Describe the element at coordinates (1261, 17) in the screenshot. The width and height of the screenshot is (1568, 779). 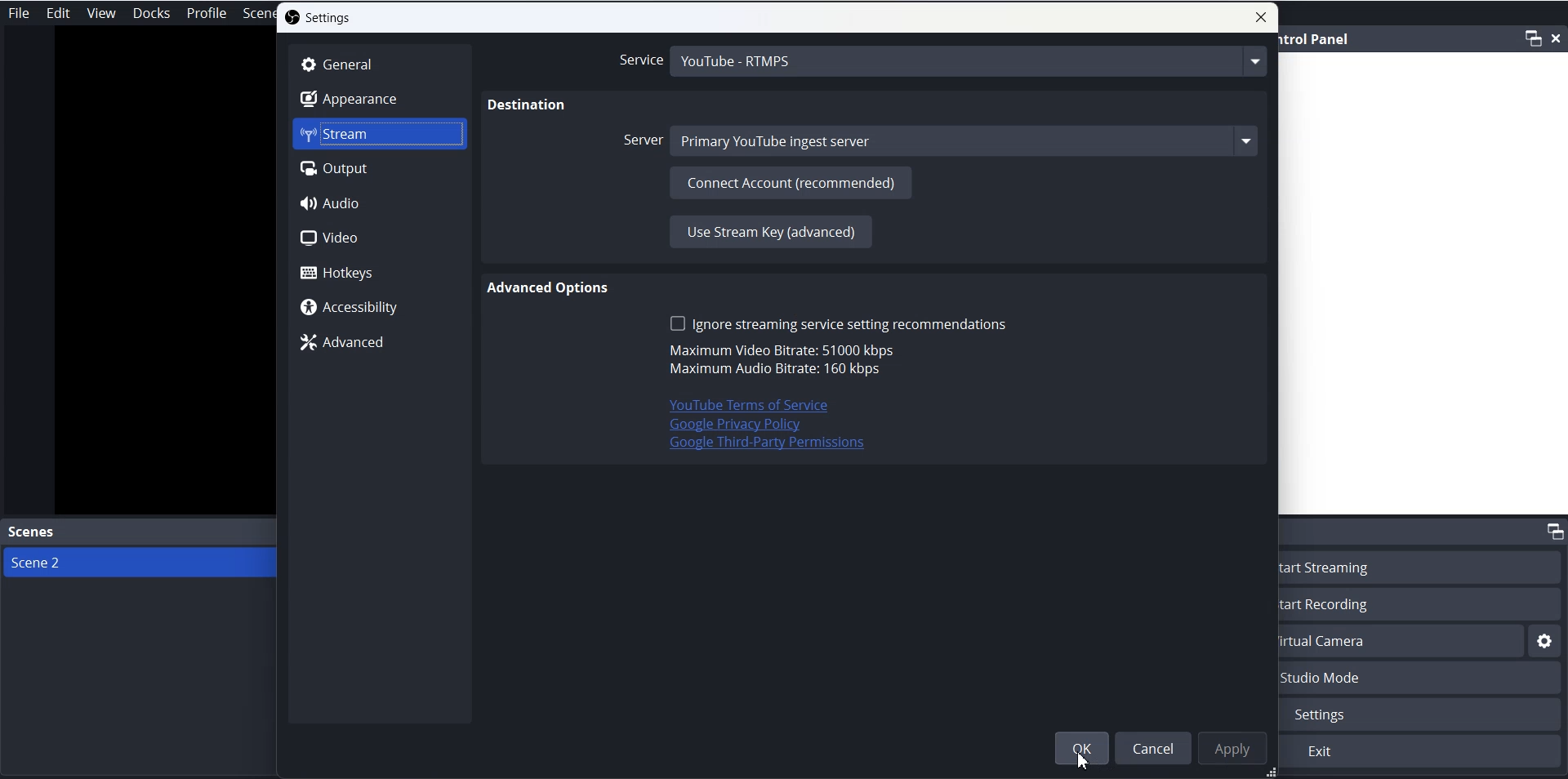
I see `close` at that location.